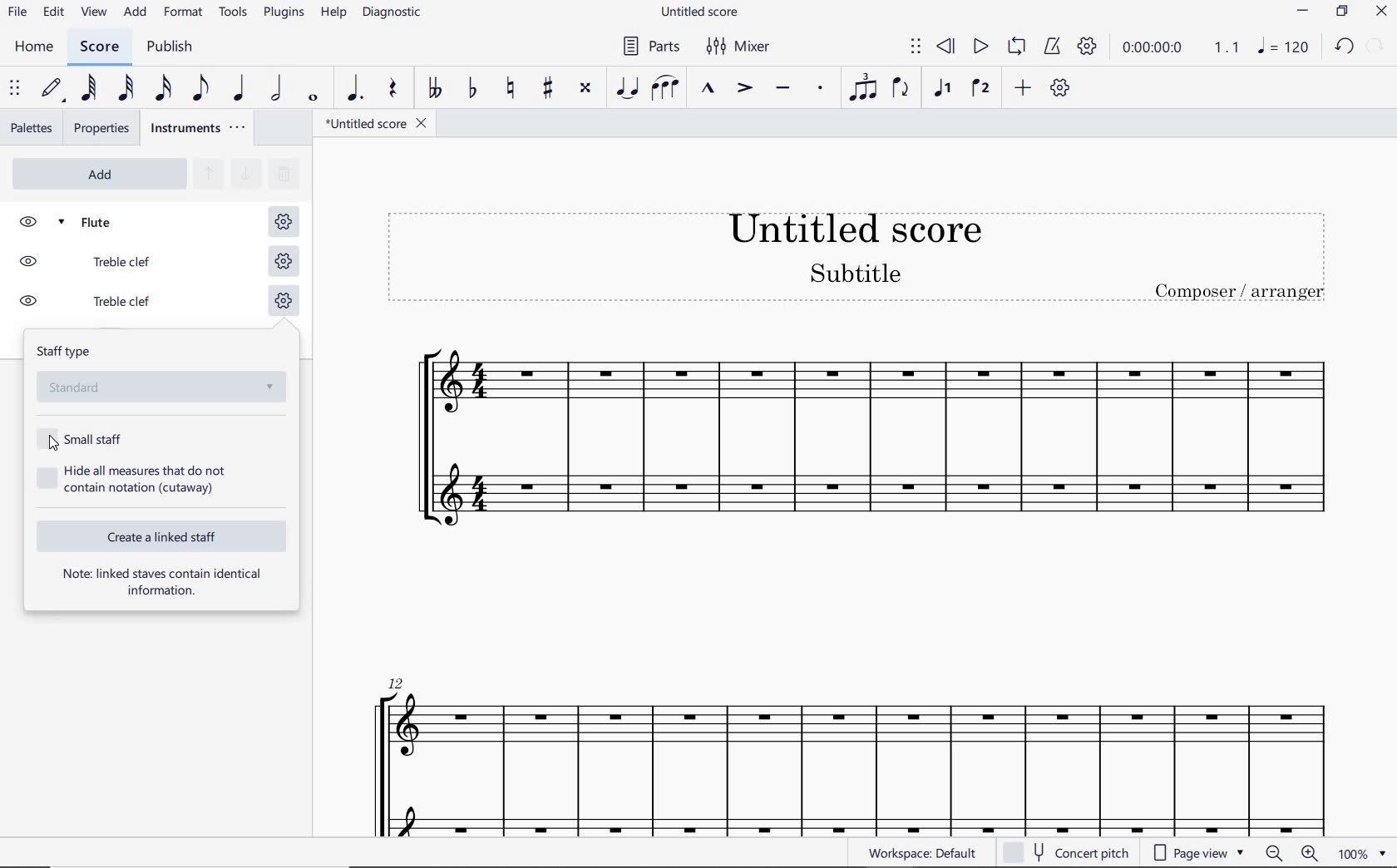  I want to click on SLUR, so click(665, 88).